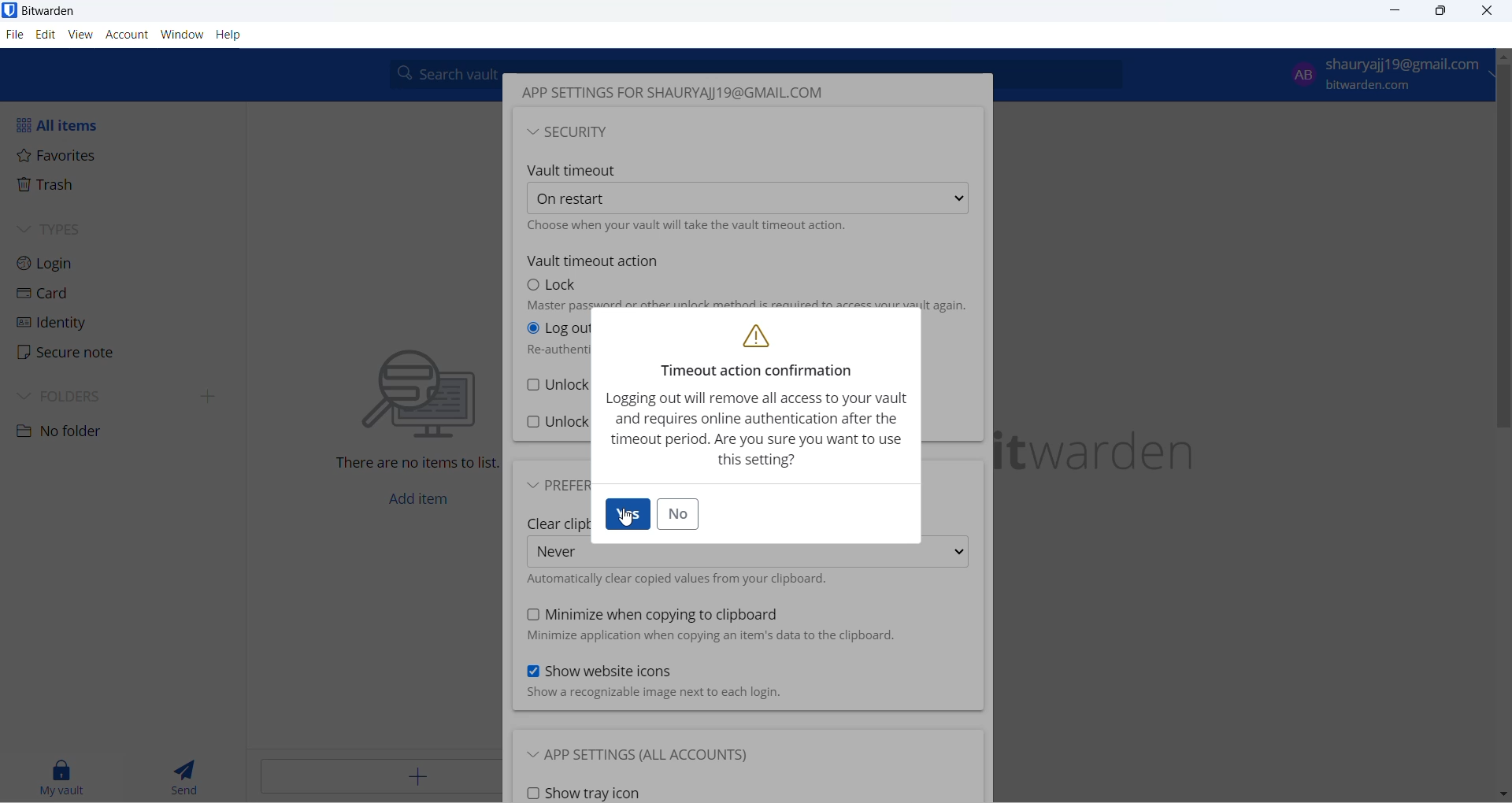 The width and height of the screenshot is (1512, 803). Describe the element at coordinates (72, 394) in the screenshot. I see `FOLDERS` at that location.